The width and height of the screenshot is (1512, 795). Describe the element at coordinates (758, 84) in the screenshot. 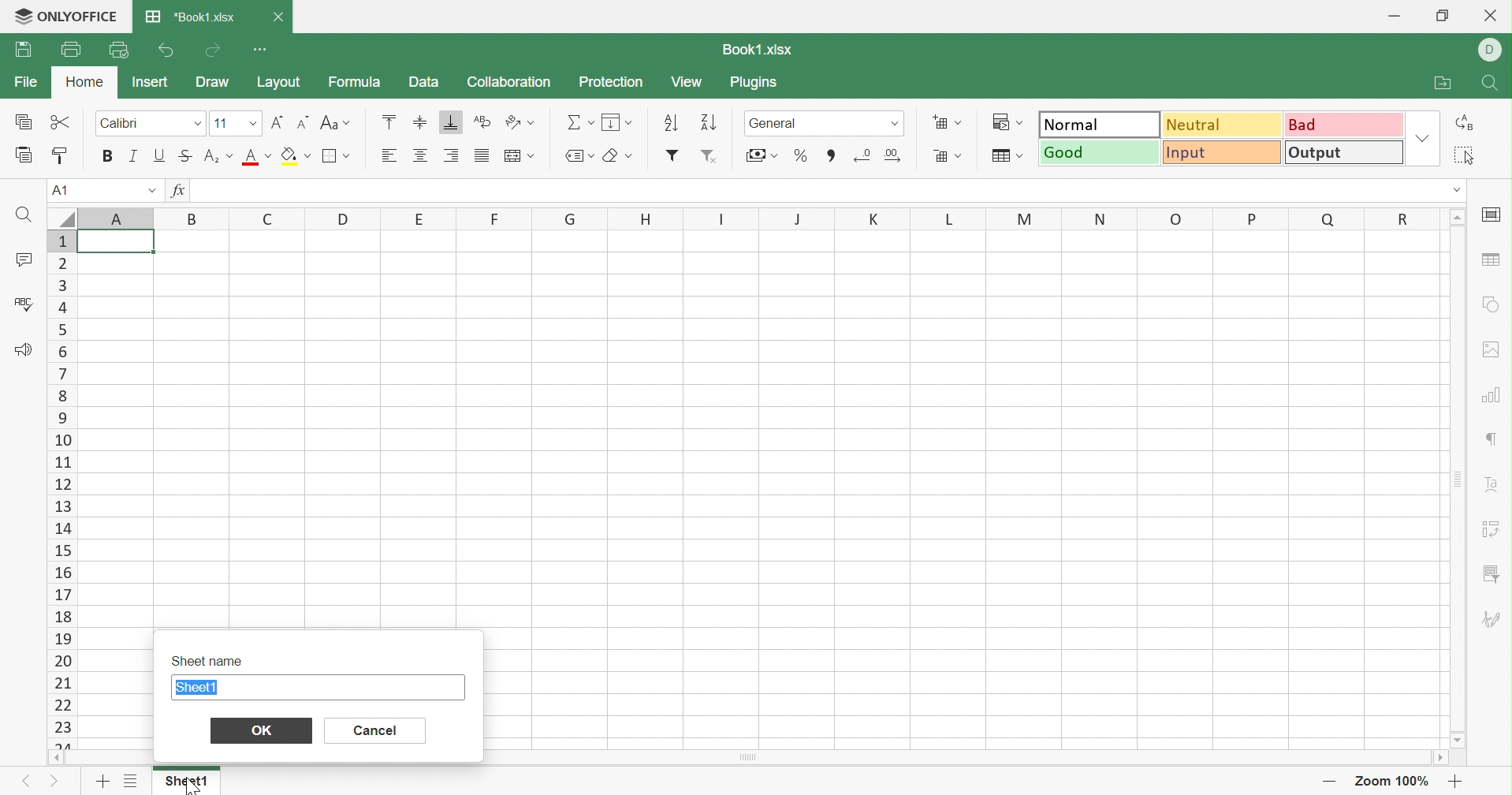

I see `Plugins` at that location.